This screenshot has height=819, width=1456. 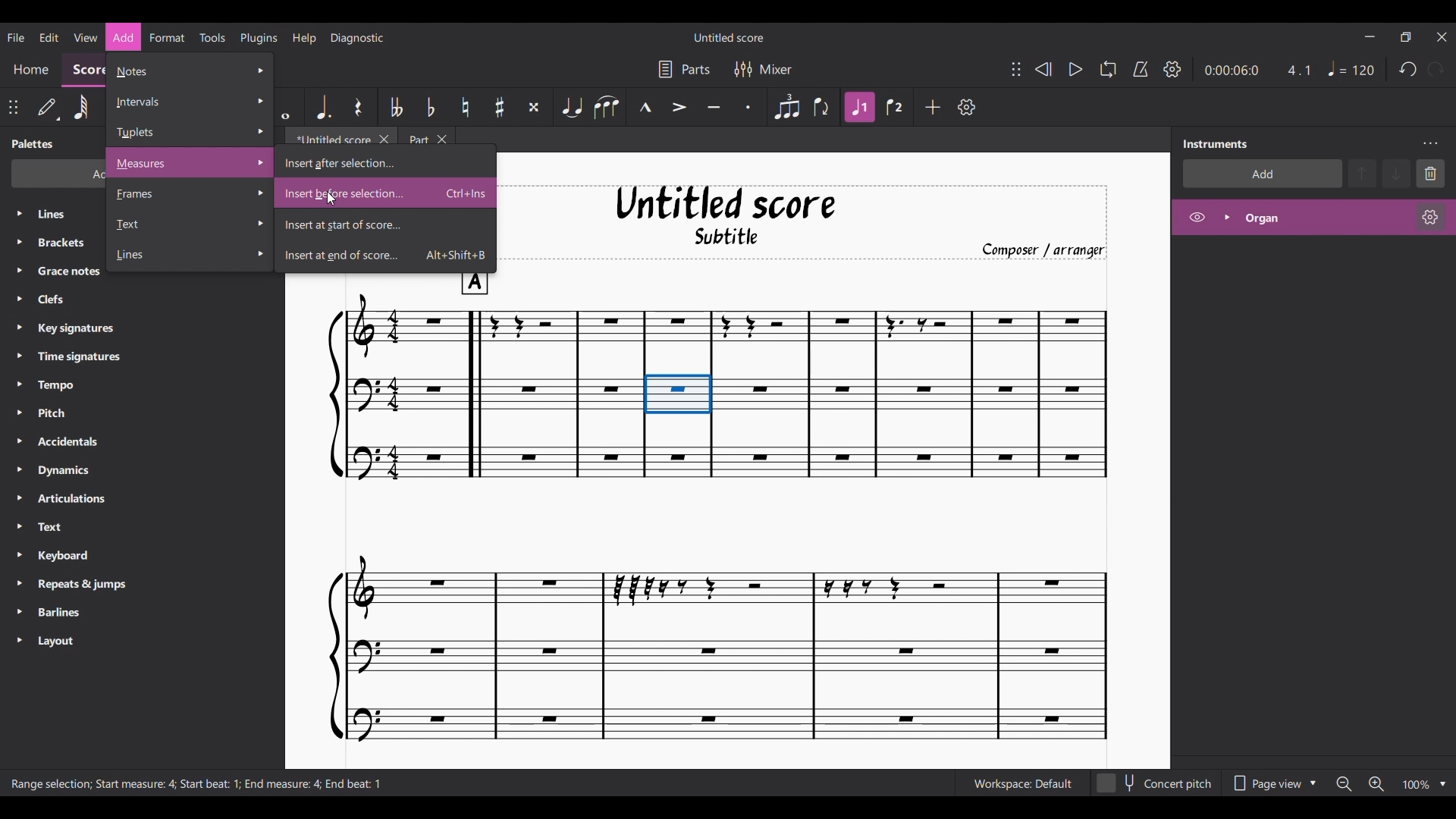 I want to click on Add instrument, so click(x=1262, y=174).